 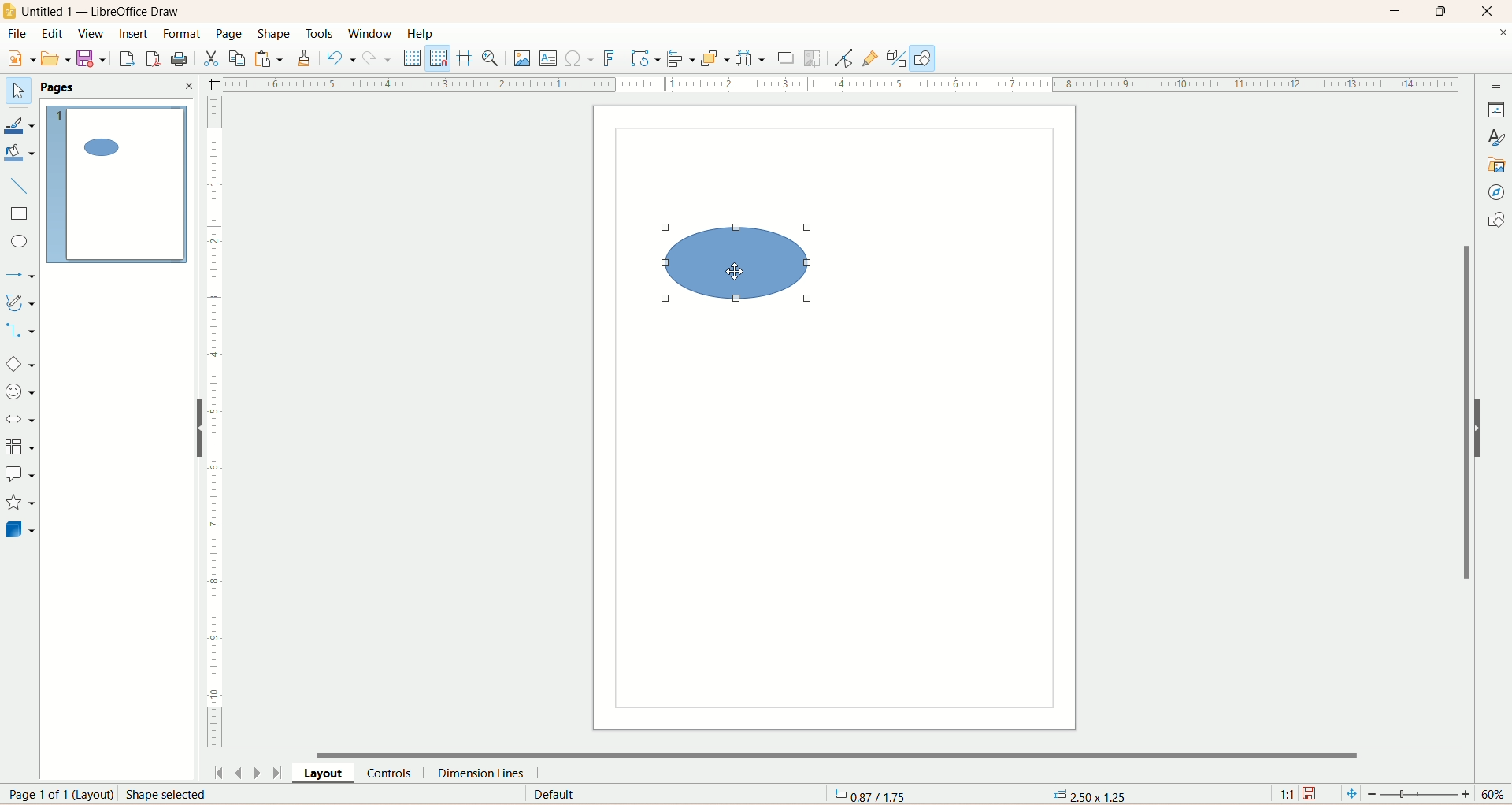 I want to click on maximize, so click(x=1440, y=11).